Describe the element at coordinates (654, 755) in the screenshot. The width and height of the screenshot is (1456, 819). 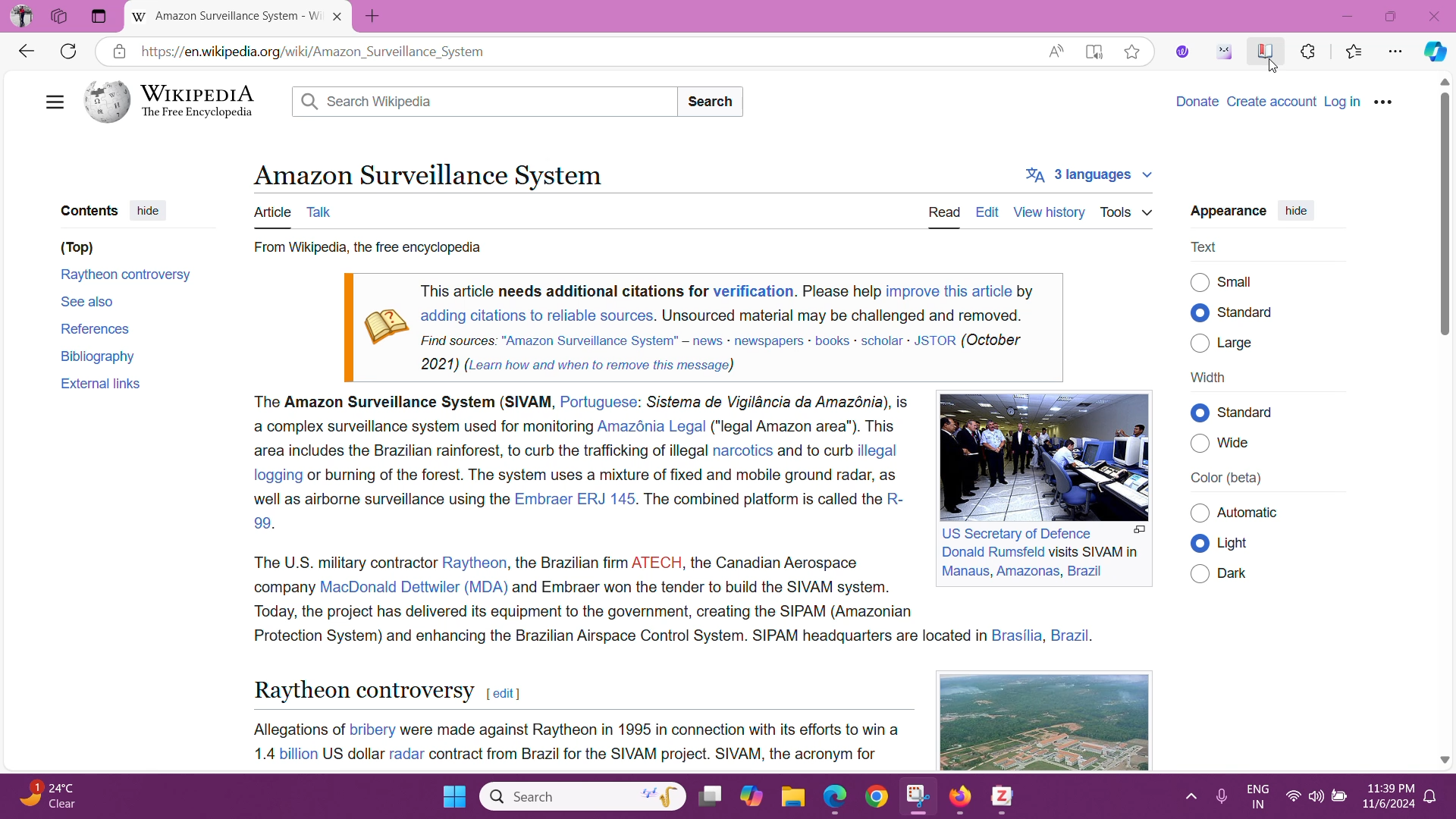
I see `contract from Brazil for the SIVAM project. SIVAM, the acronym for` at that location.